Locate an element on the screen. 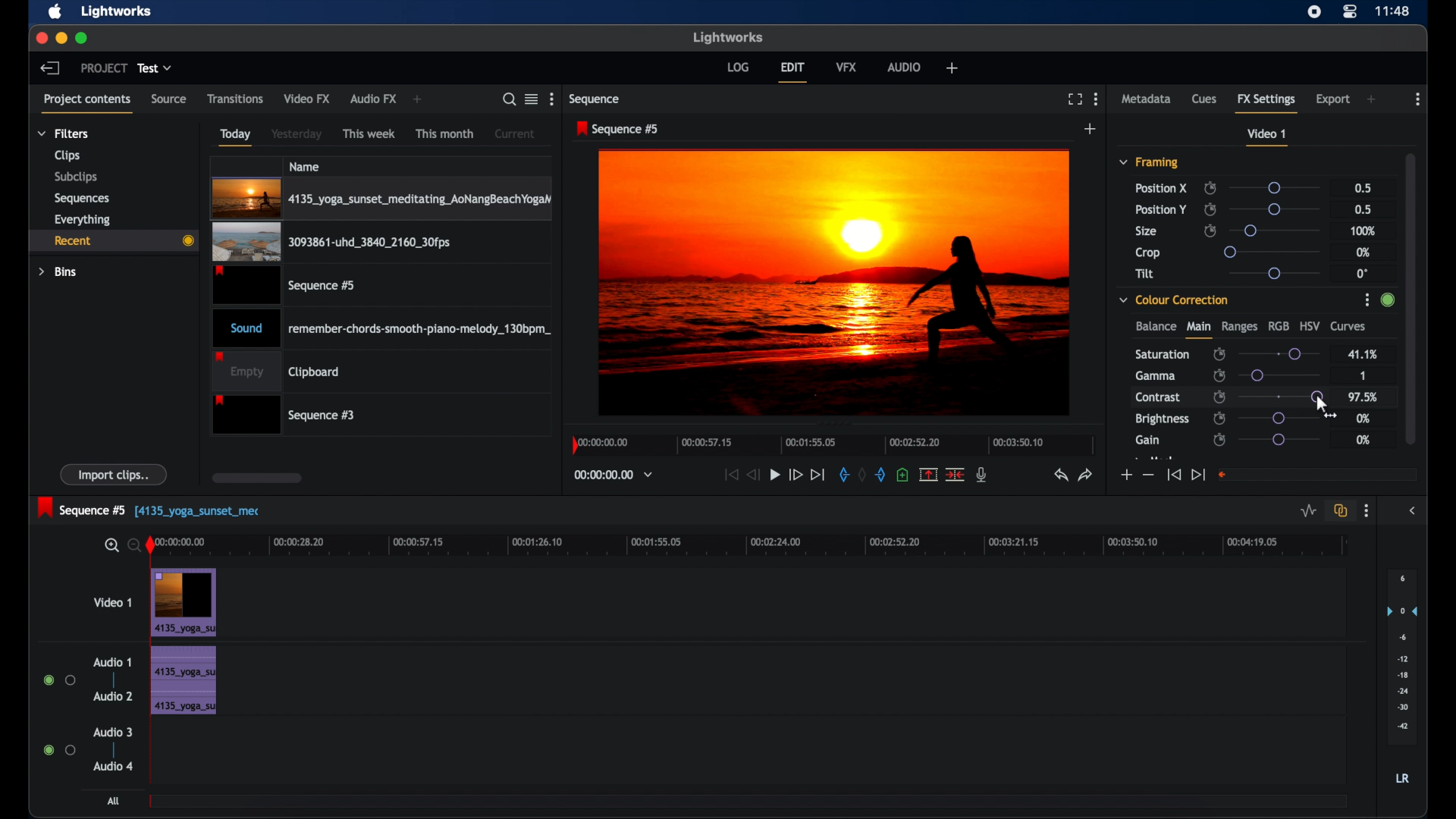 Image resolution: width=1456 pixels, height=819 pixels. empty field is located at coordinates (1318, 474).